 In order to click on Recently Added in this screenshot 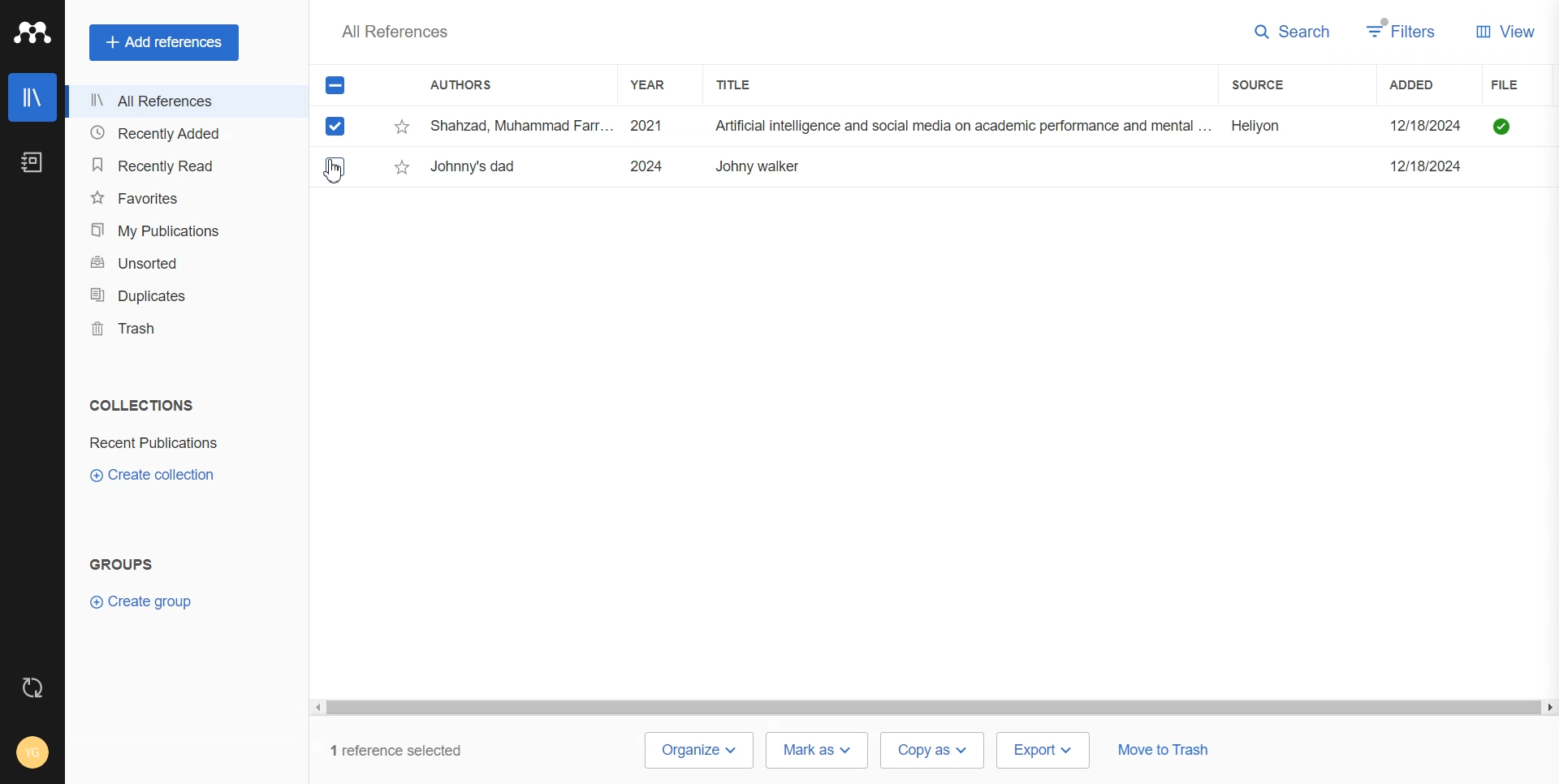, I will do `click(181, 134)`.